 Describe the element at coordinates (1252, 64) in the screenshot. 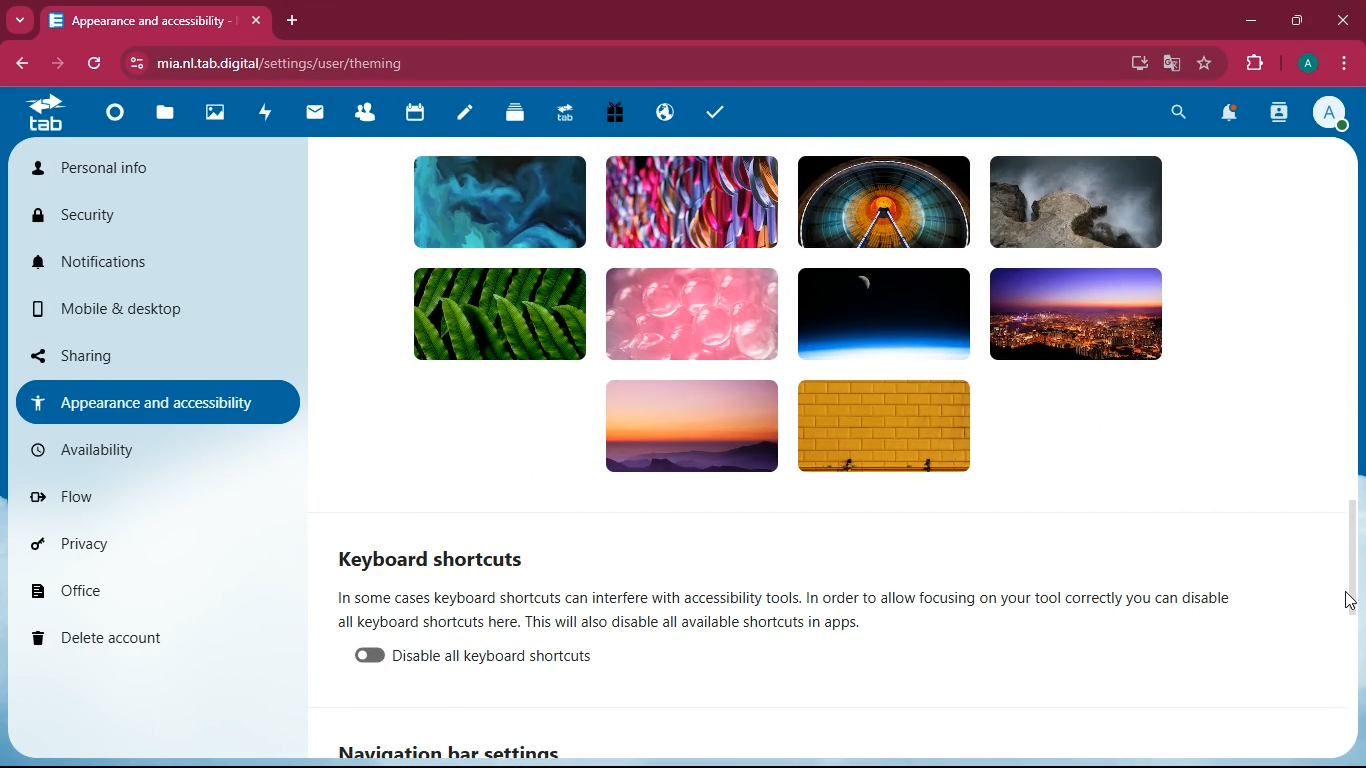

I see `extension` at that location.